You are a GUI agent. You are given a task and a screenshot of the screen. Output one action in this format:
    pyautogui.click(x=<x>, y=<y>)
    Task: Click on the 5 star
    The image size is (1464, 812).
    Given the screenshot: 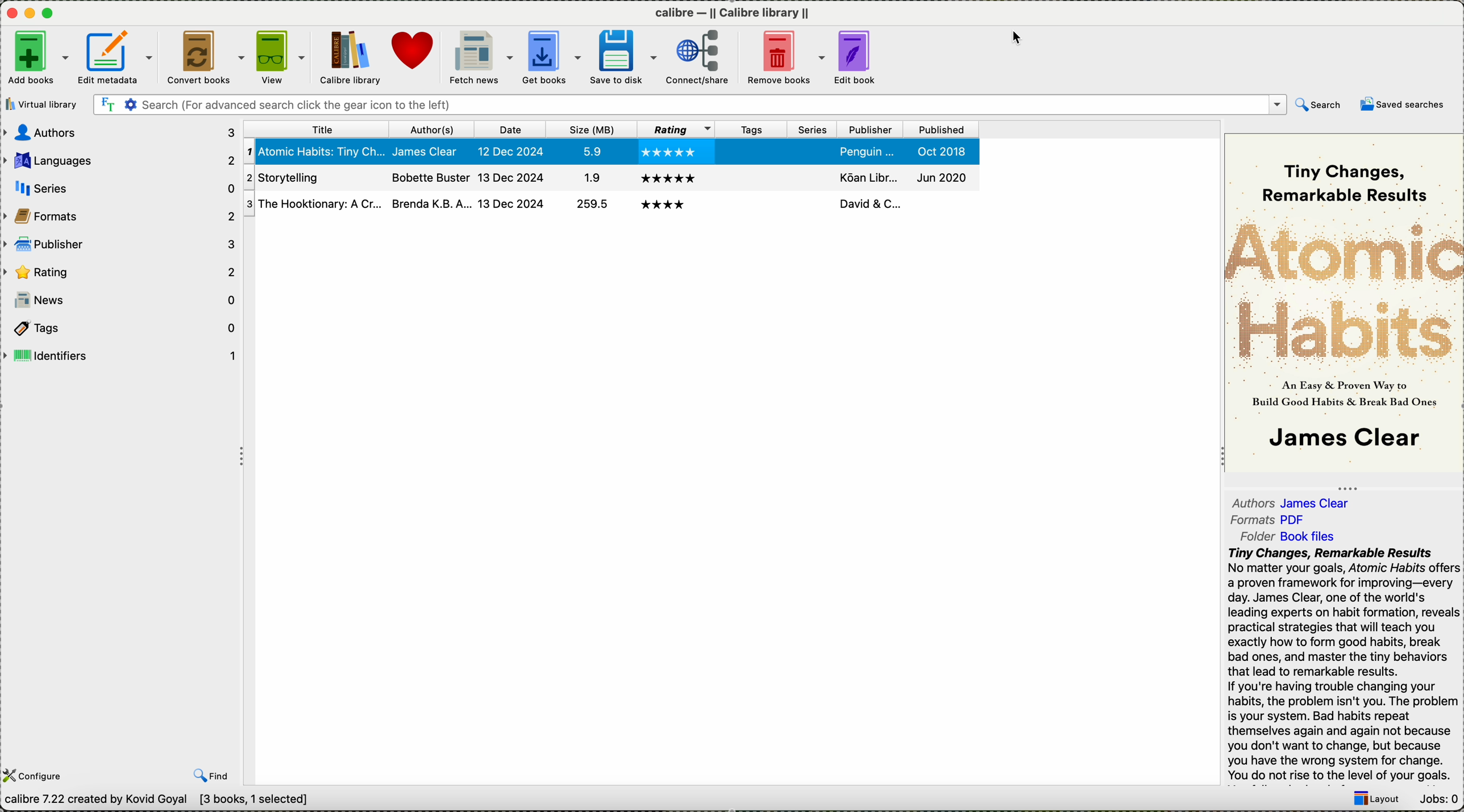 What is the action you would take?
    pyautogui.click(x=669, y=153)
    